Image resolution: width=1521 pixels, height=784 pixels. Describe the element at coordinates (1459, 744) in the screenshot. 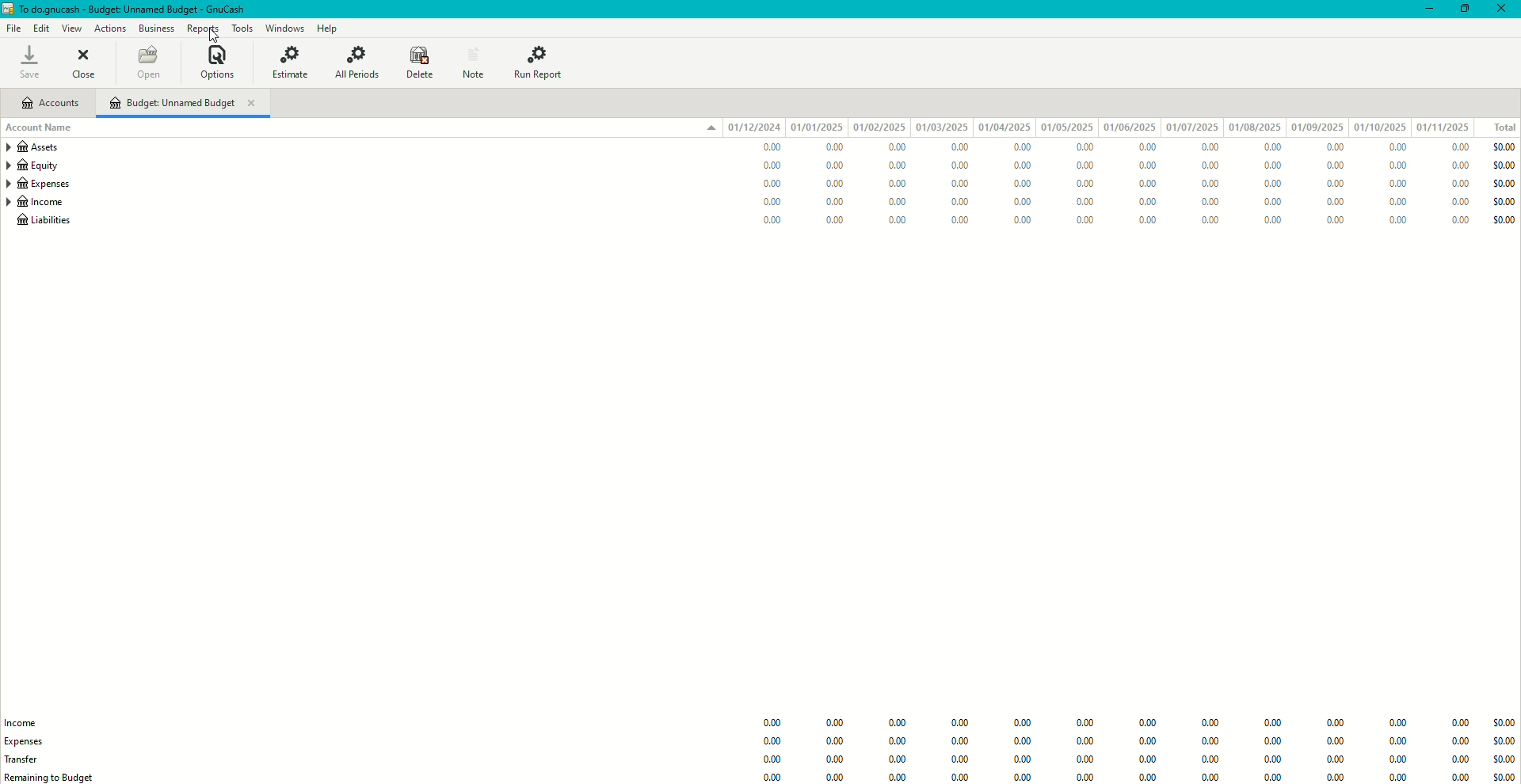

I see `0.00` at that location.